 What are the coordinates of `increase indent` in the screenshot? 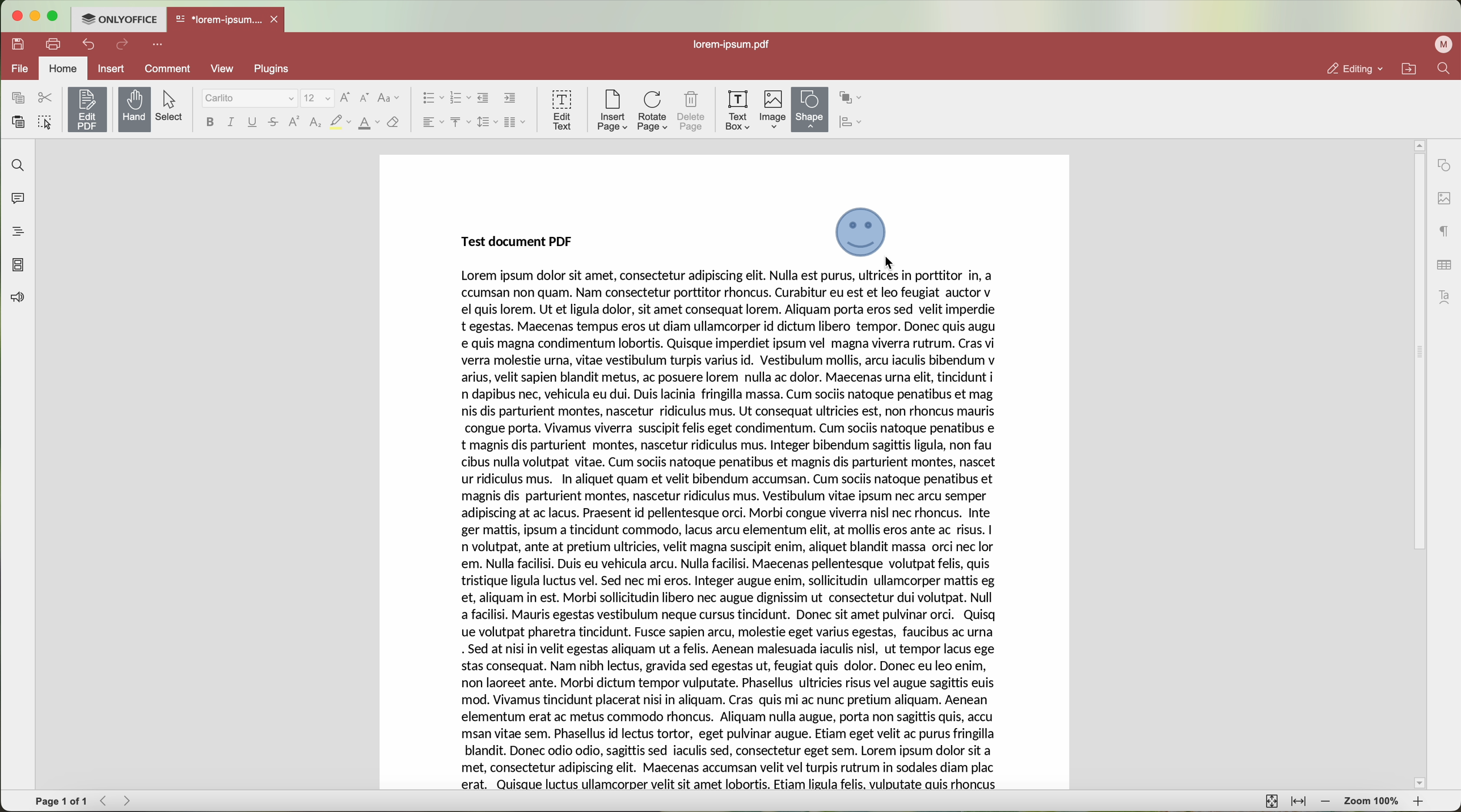 It's located at (509, 99).